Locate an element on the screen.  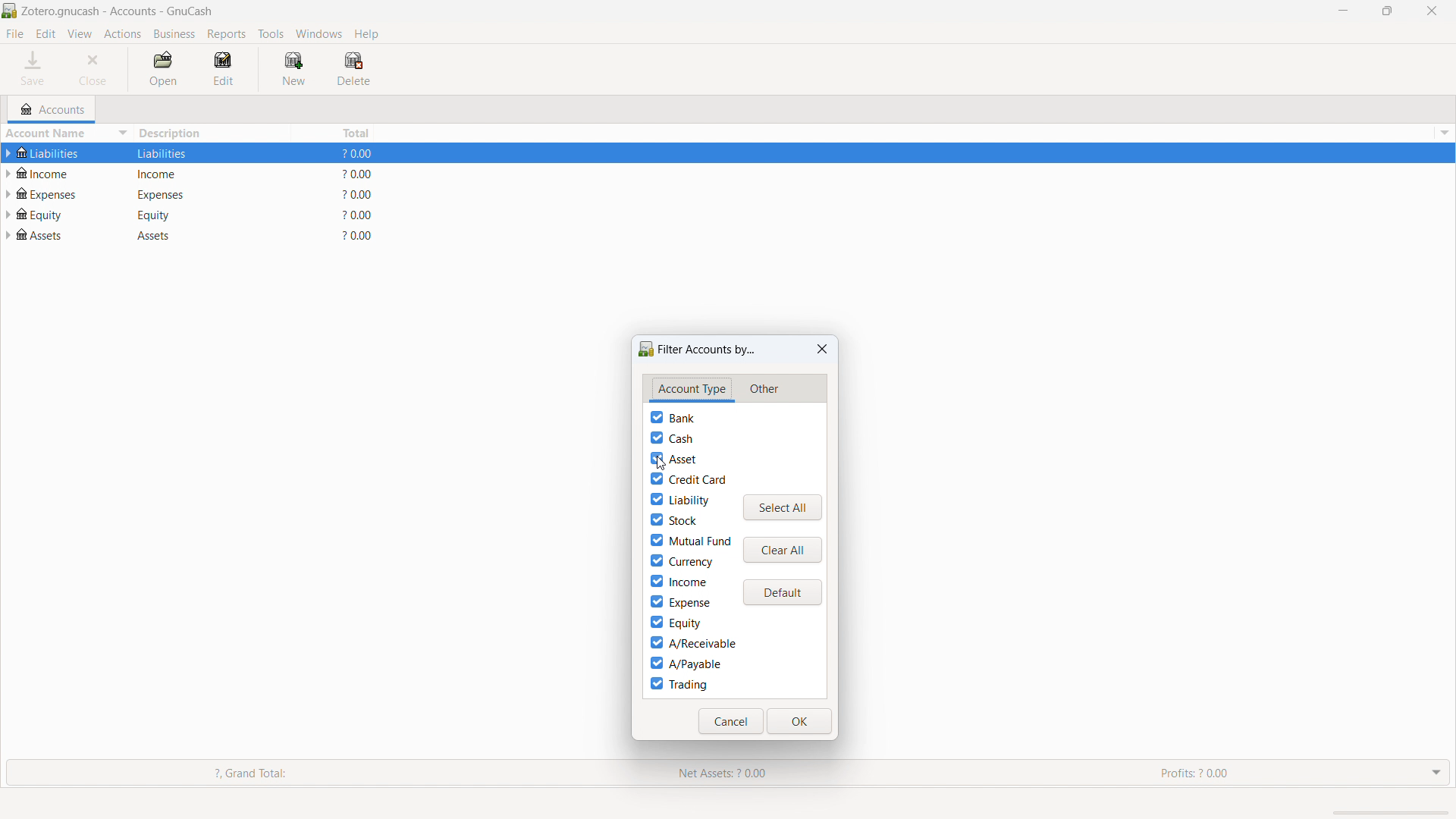
clear all is located at coordinates (783, 550).